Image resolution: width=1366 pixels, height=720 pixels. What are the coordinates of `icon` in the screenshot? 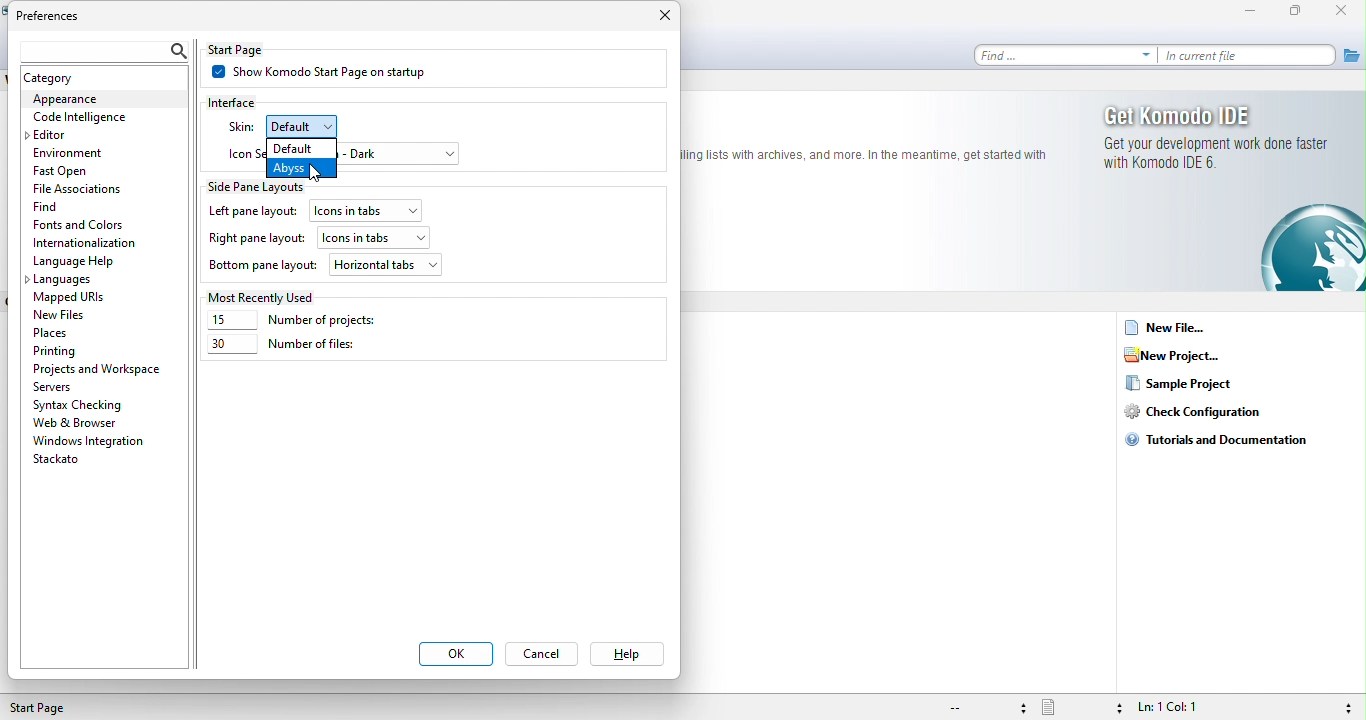 It's located at (244, 153).